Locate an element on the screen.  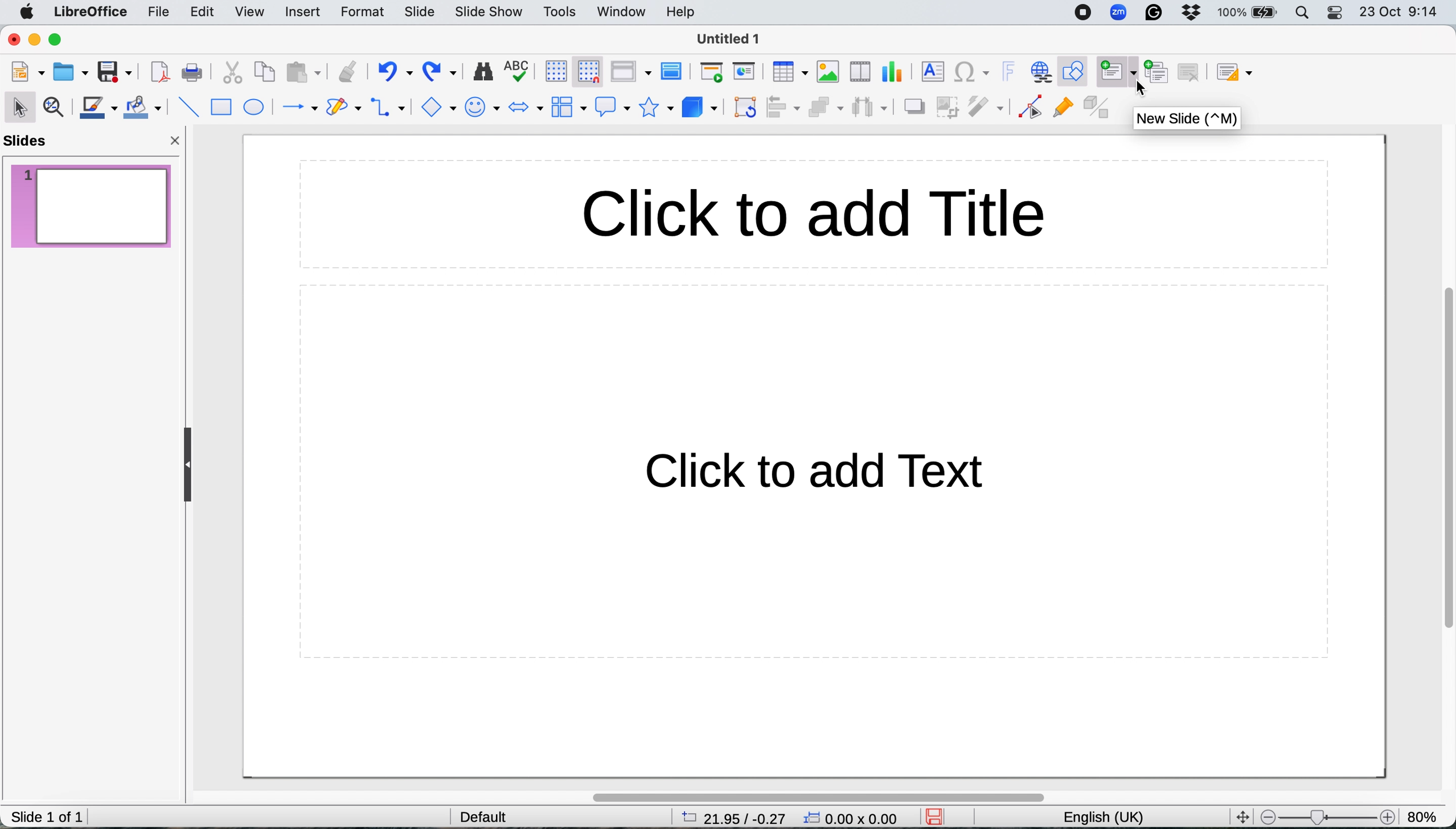
insert text is located at coordinates (931, 73).